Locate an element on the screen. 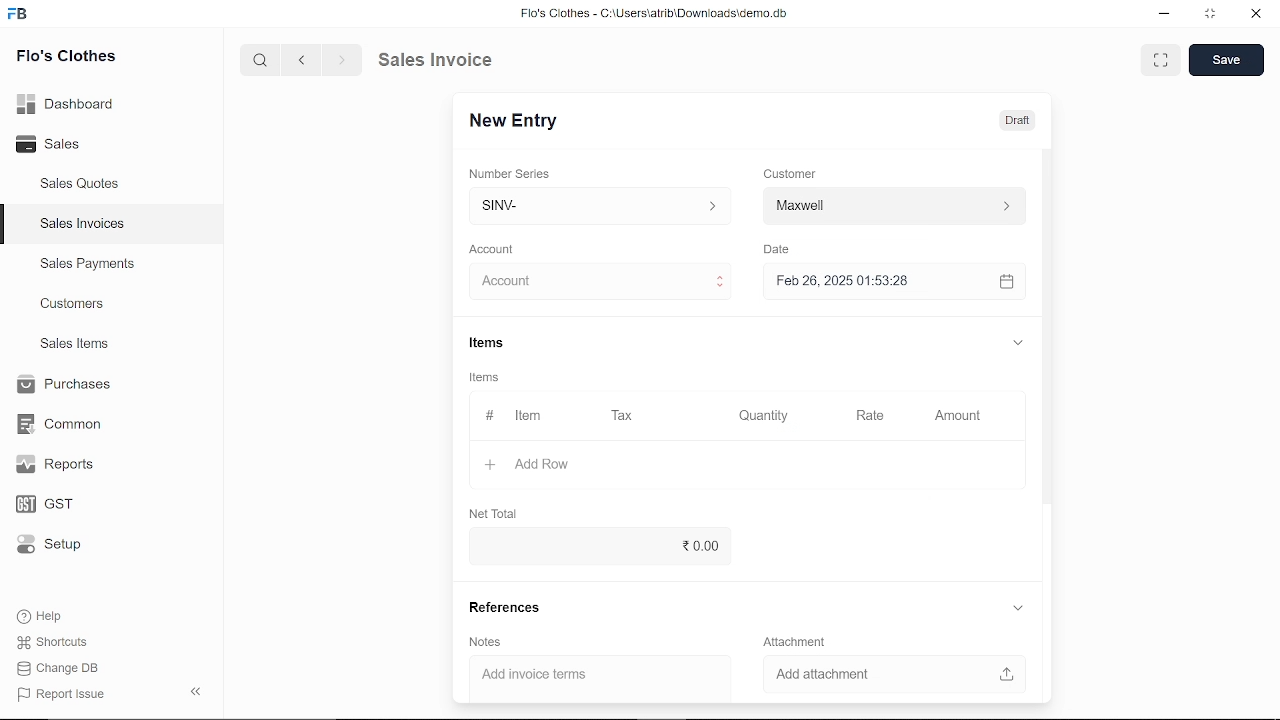 This screenshot has width=1280, height=720. Add Row is located at coordinates (529, 465).